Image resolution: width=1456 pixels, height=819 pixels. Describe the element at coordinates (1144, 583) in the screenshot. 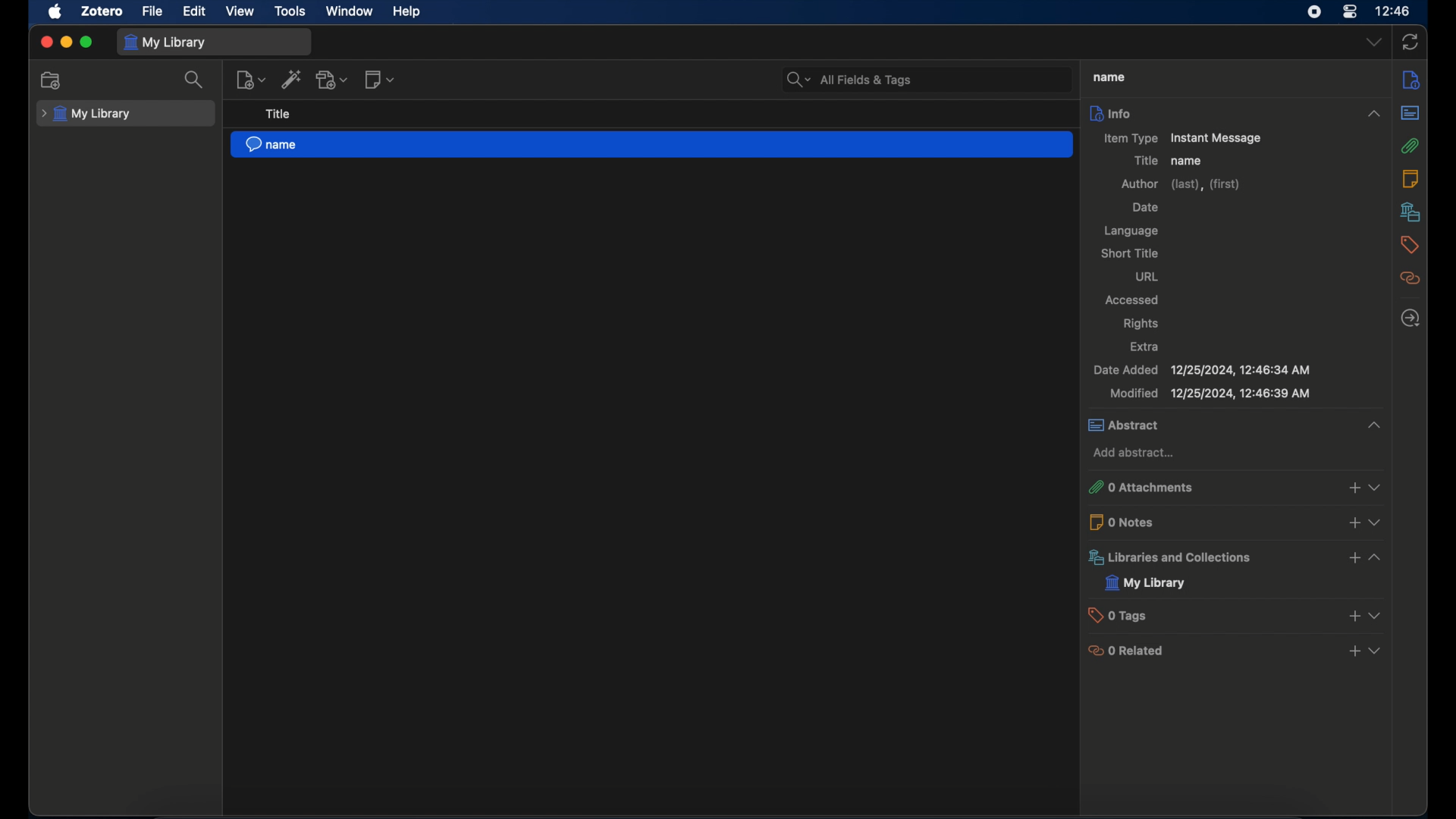

I see `my library` at that location.